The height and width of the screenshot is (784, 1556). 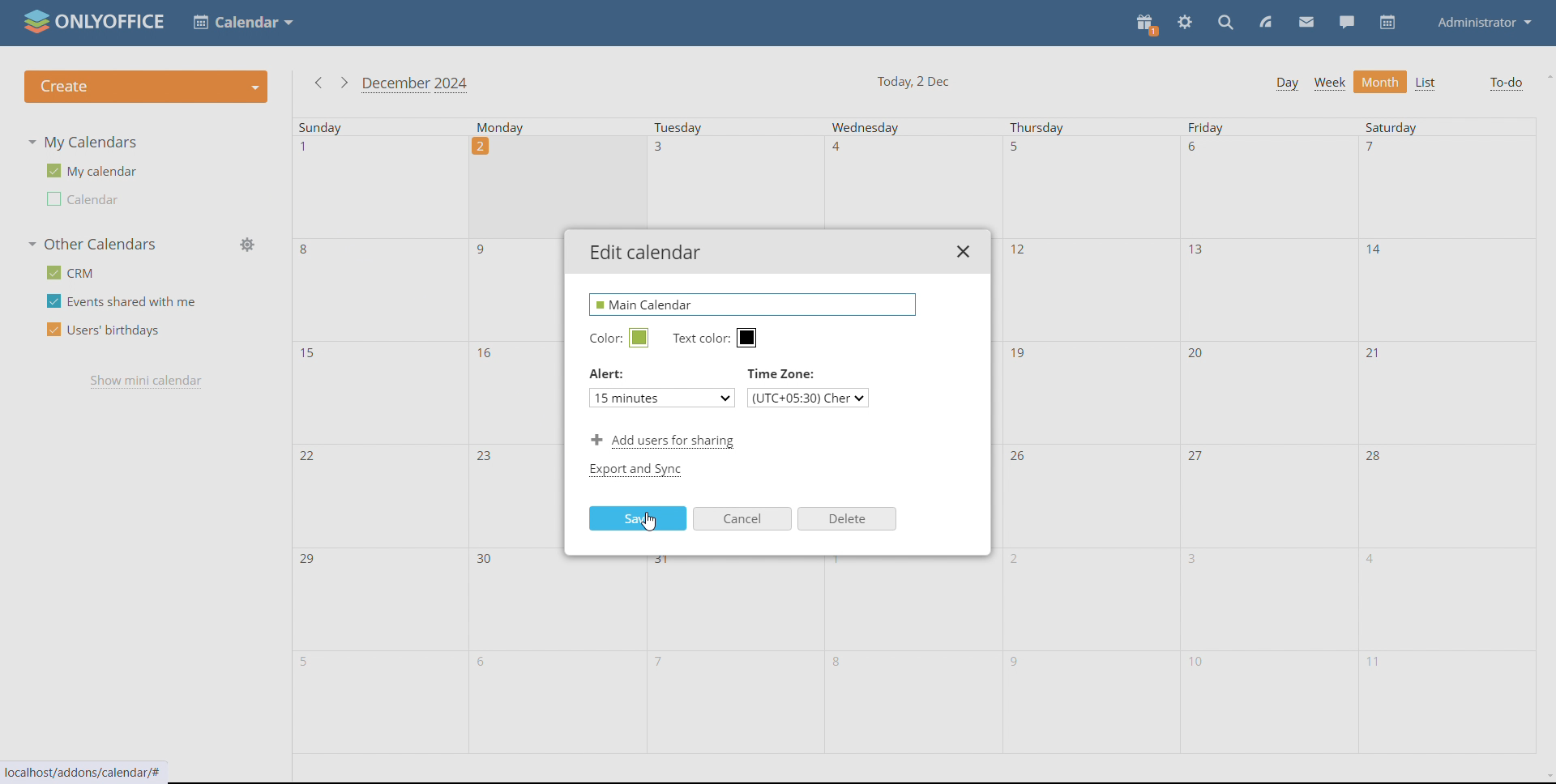 I want to click on list view, so click(x=1426, y=83).